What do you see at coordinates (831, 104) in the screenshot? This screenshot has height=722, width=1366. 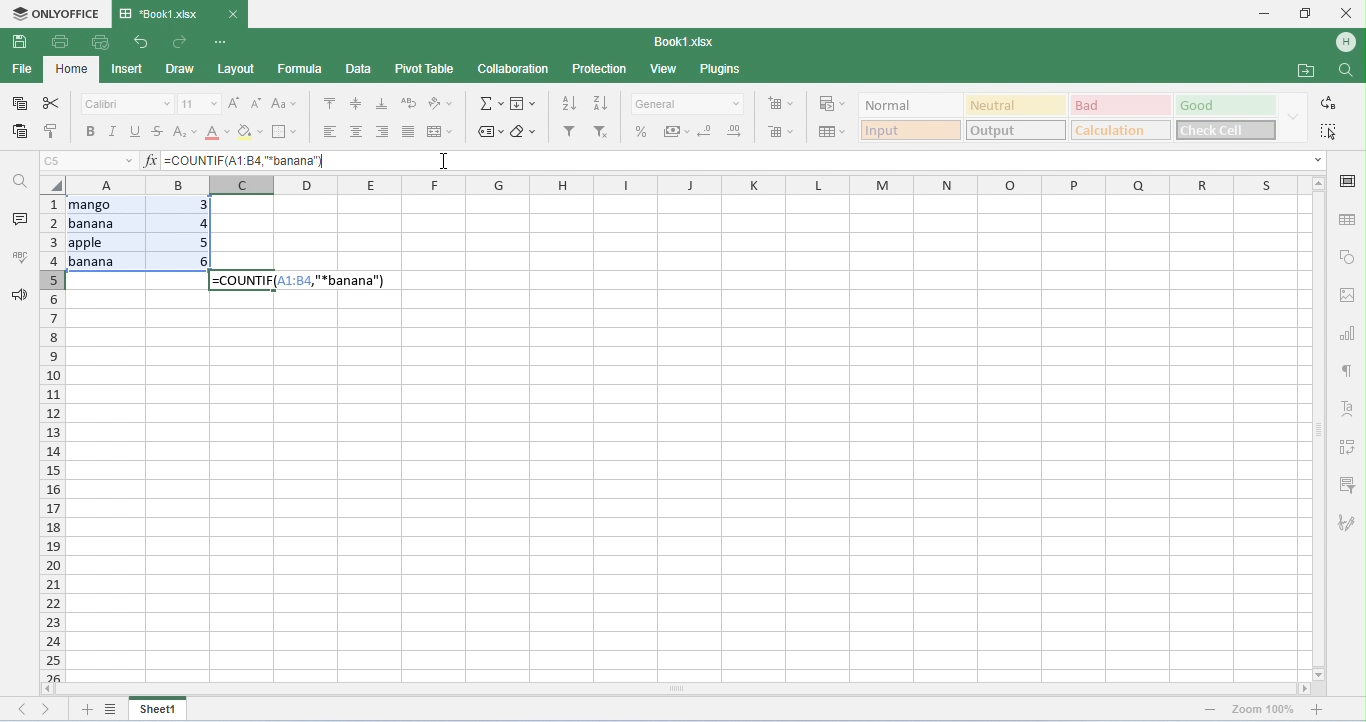 I see `conditional formatting` at bounding box center [831, 104].